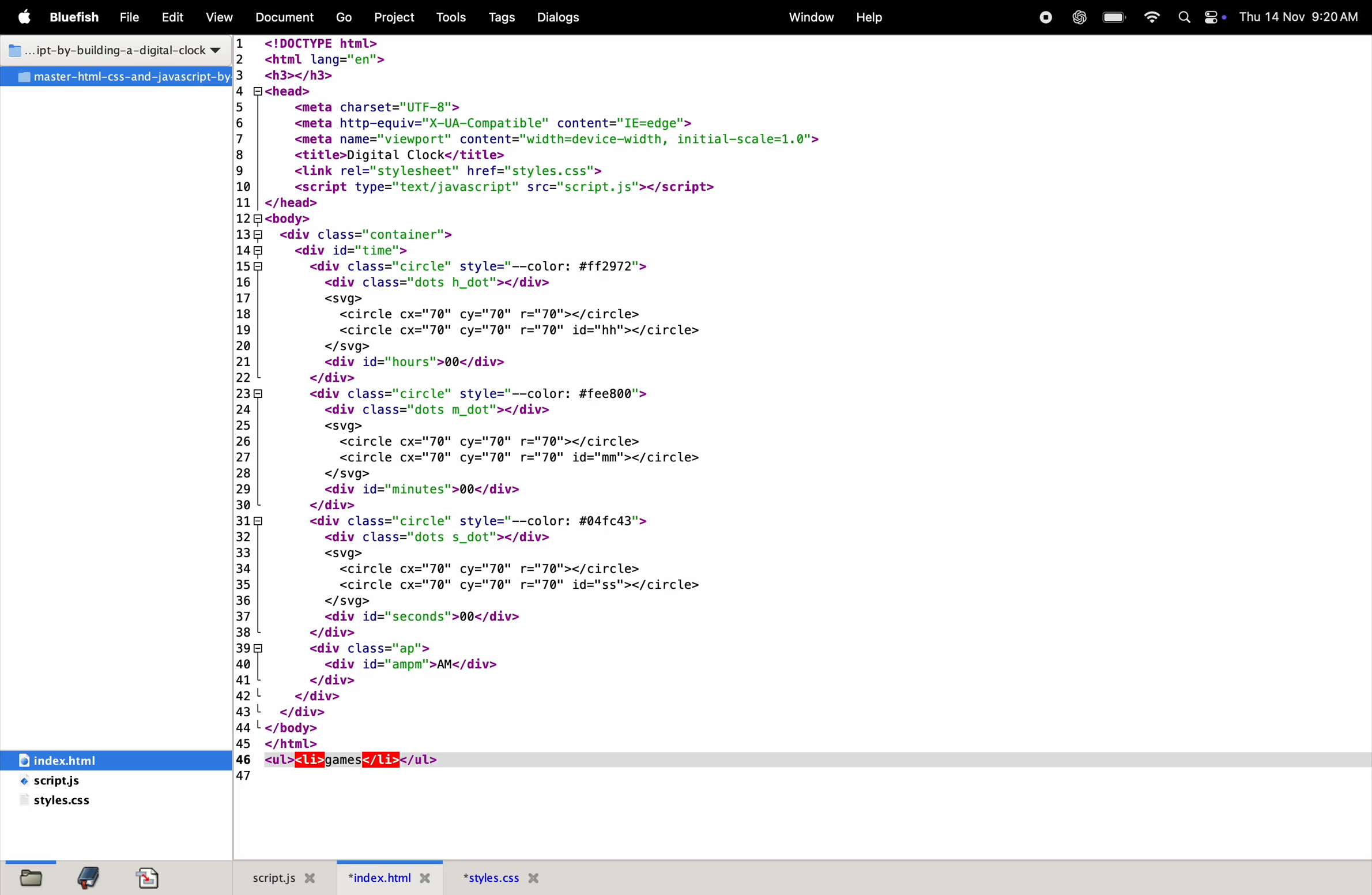 Image resolution: width=1372 pixels, height=895 pixels. What do you see at coordinates (523, 877) in the screenshot?
I see `Style.css` at bounding box center [523, 877].